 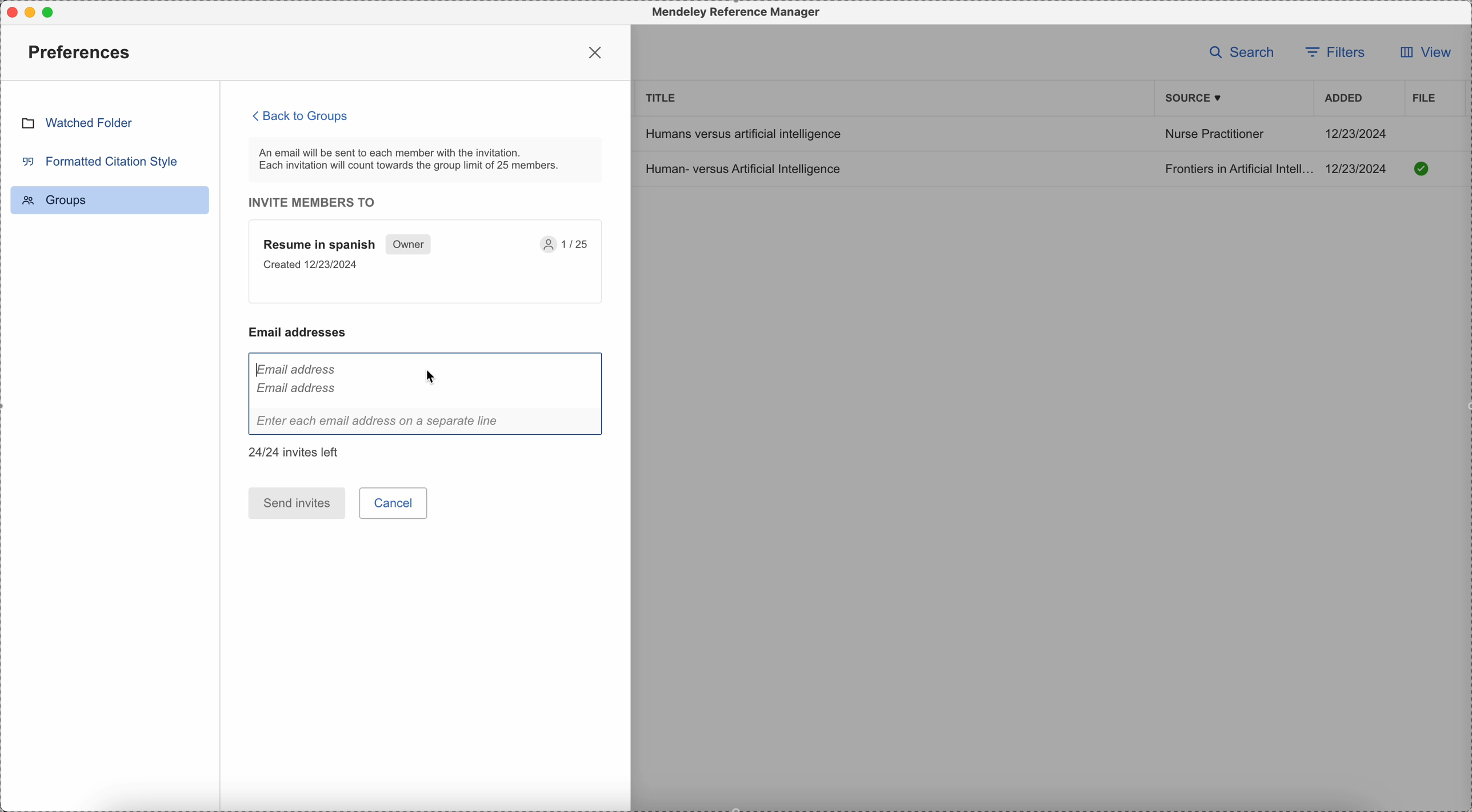 I want to click on minimize, so click(x=33, y=12).